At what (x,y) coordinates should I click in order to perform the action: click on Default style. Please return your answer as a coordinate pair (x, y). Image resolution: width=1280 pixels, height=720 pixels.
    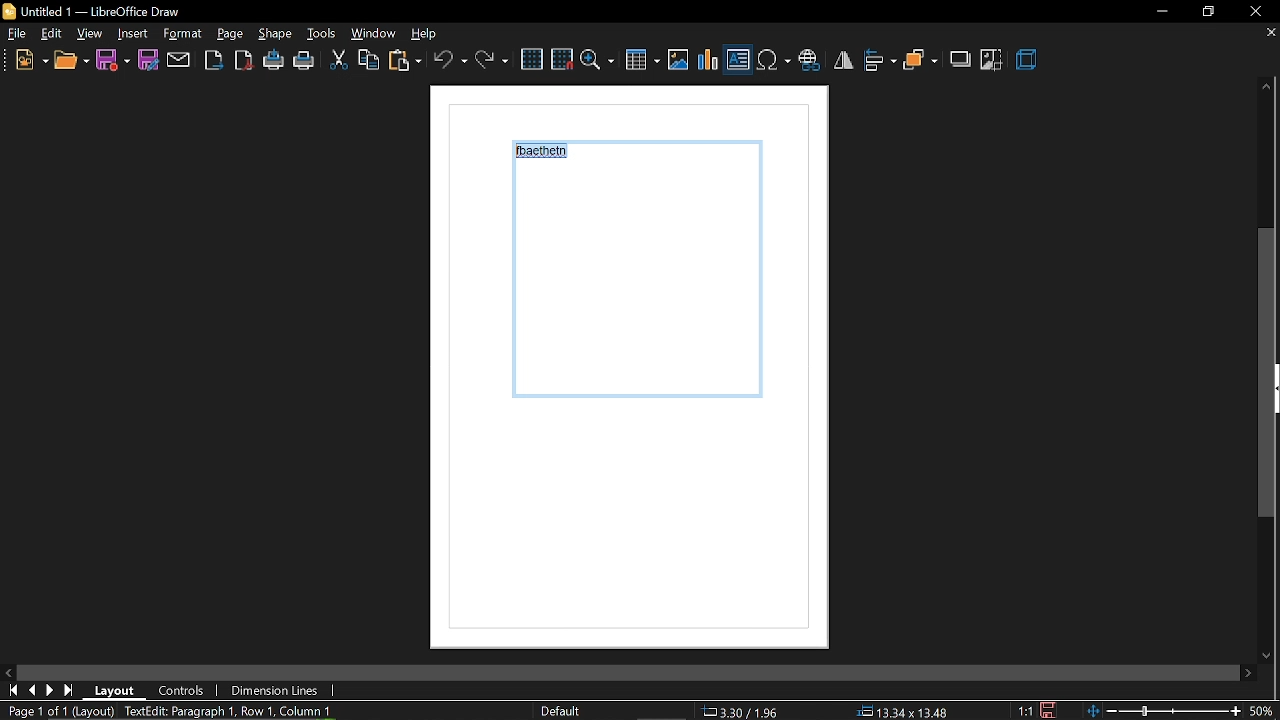
    Looking at the image, I should click on (564, 712).